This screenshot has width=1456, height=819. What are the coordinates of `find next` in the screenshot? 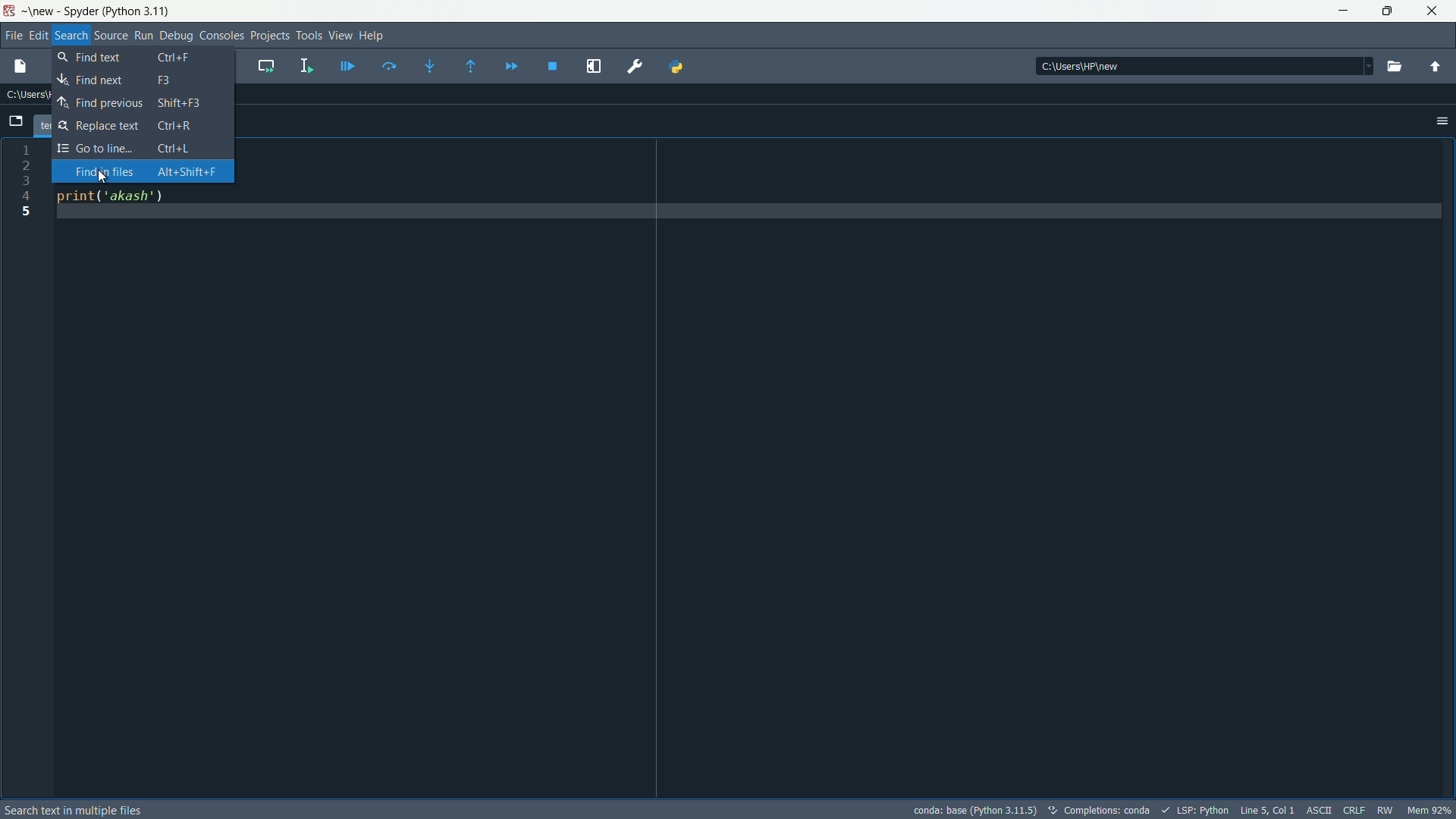 It's located at (143, 82).